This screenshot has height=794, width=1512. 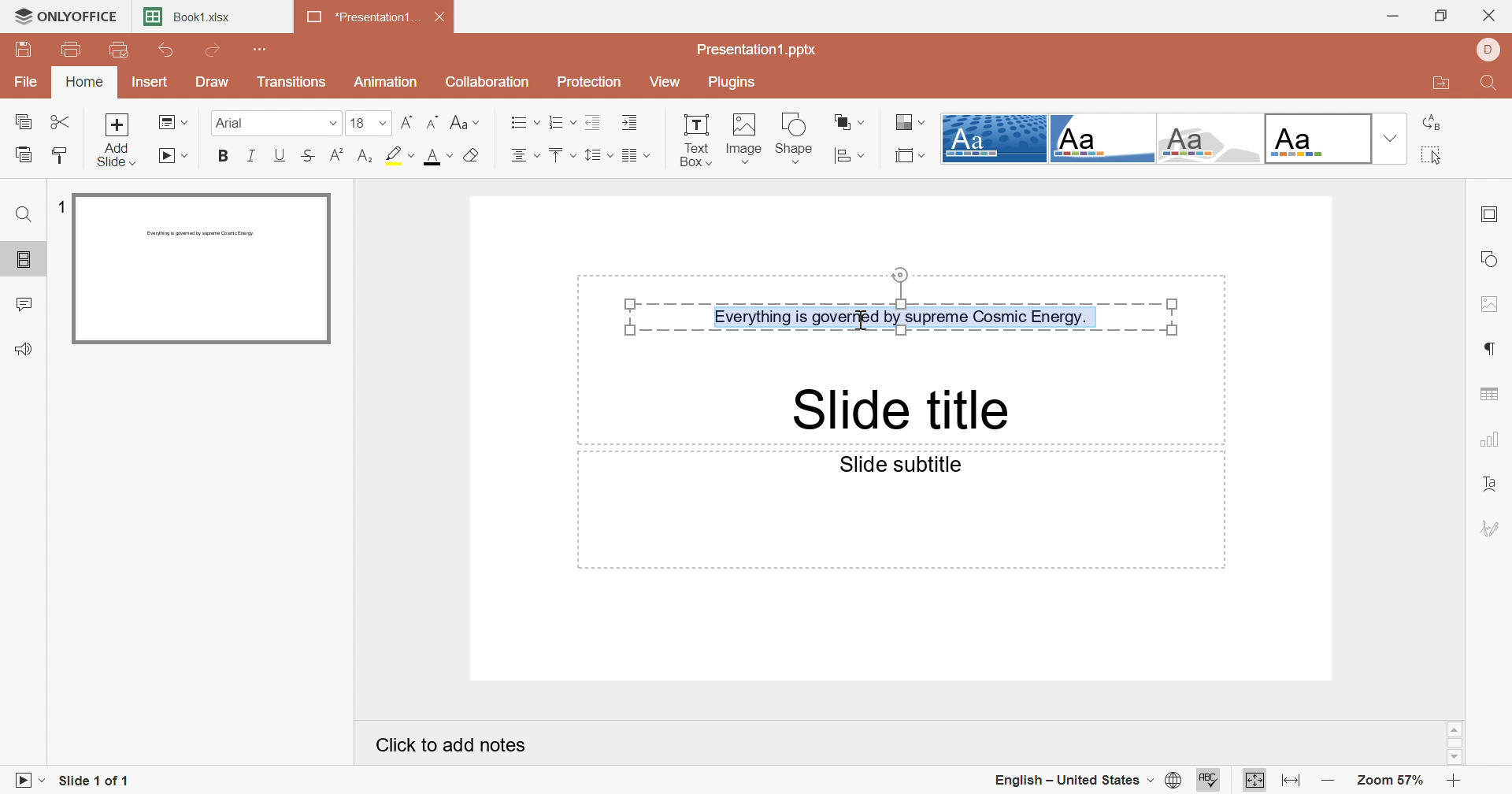 I want to click on Slide 1 of 1, so click(x=97, y=783).